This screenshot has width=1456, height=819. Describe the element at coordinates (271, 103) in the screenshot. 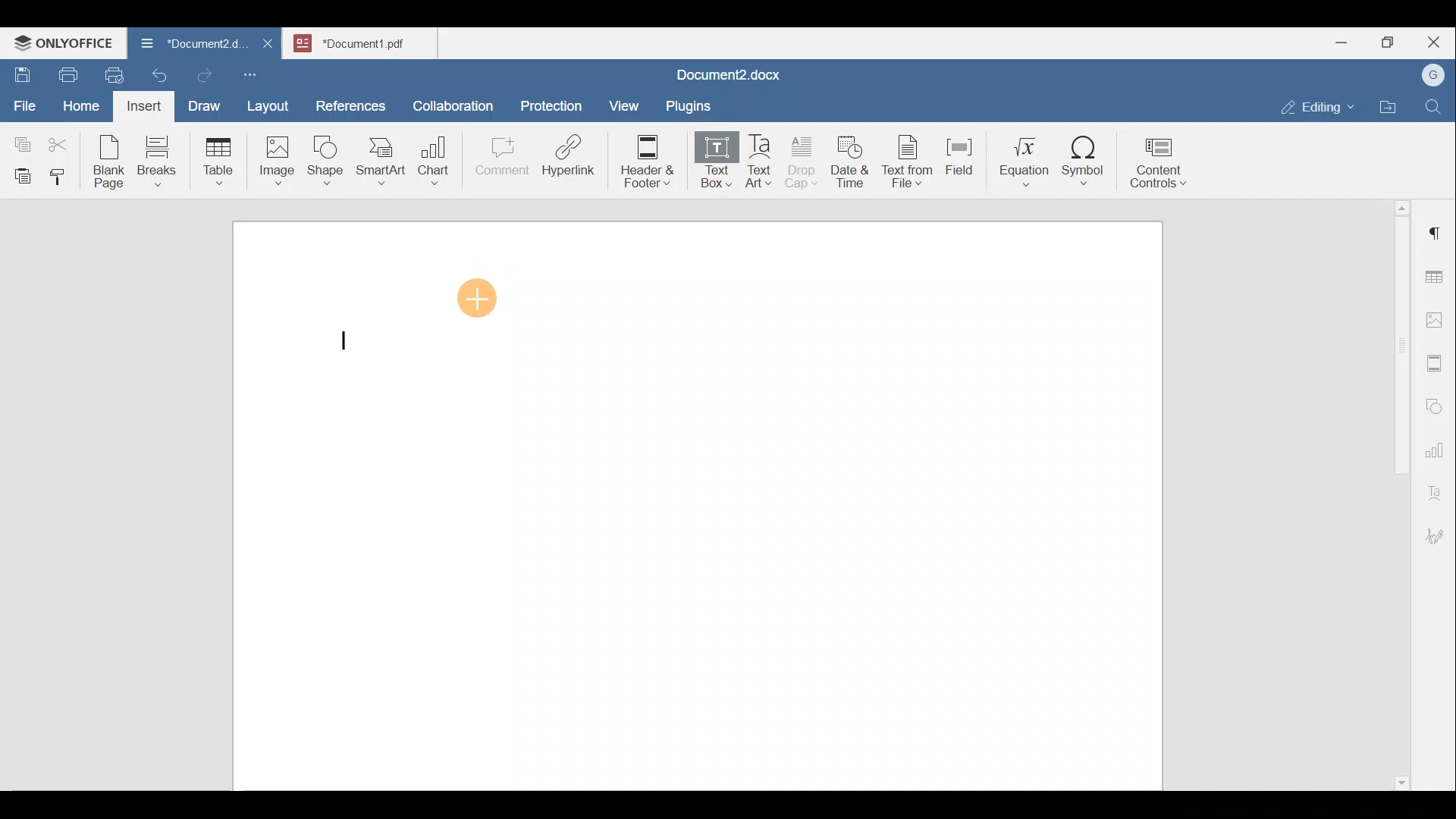

I see `Layout` at that location.